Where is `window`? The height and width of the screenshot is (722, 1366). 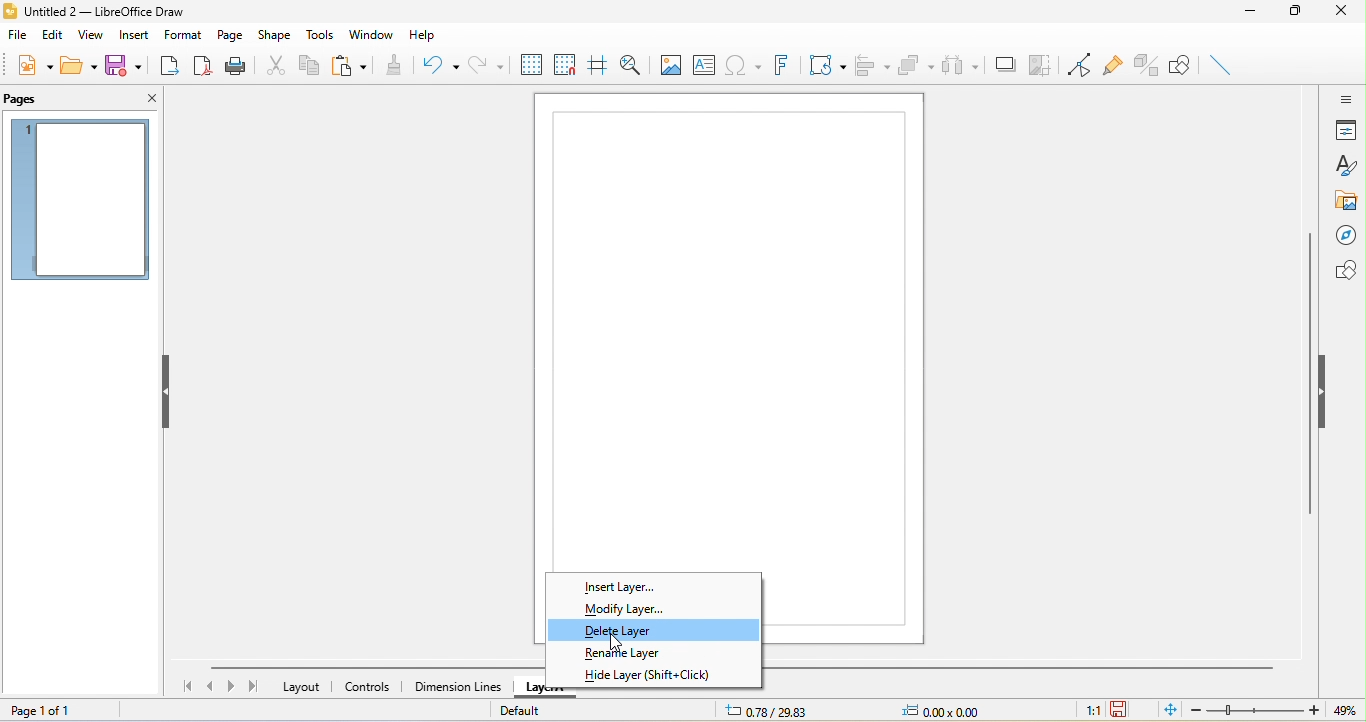 window is located at coordinates (373, 34).